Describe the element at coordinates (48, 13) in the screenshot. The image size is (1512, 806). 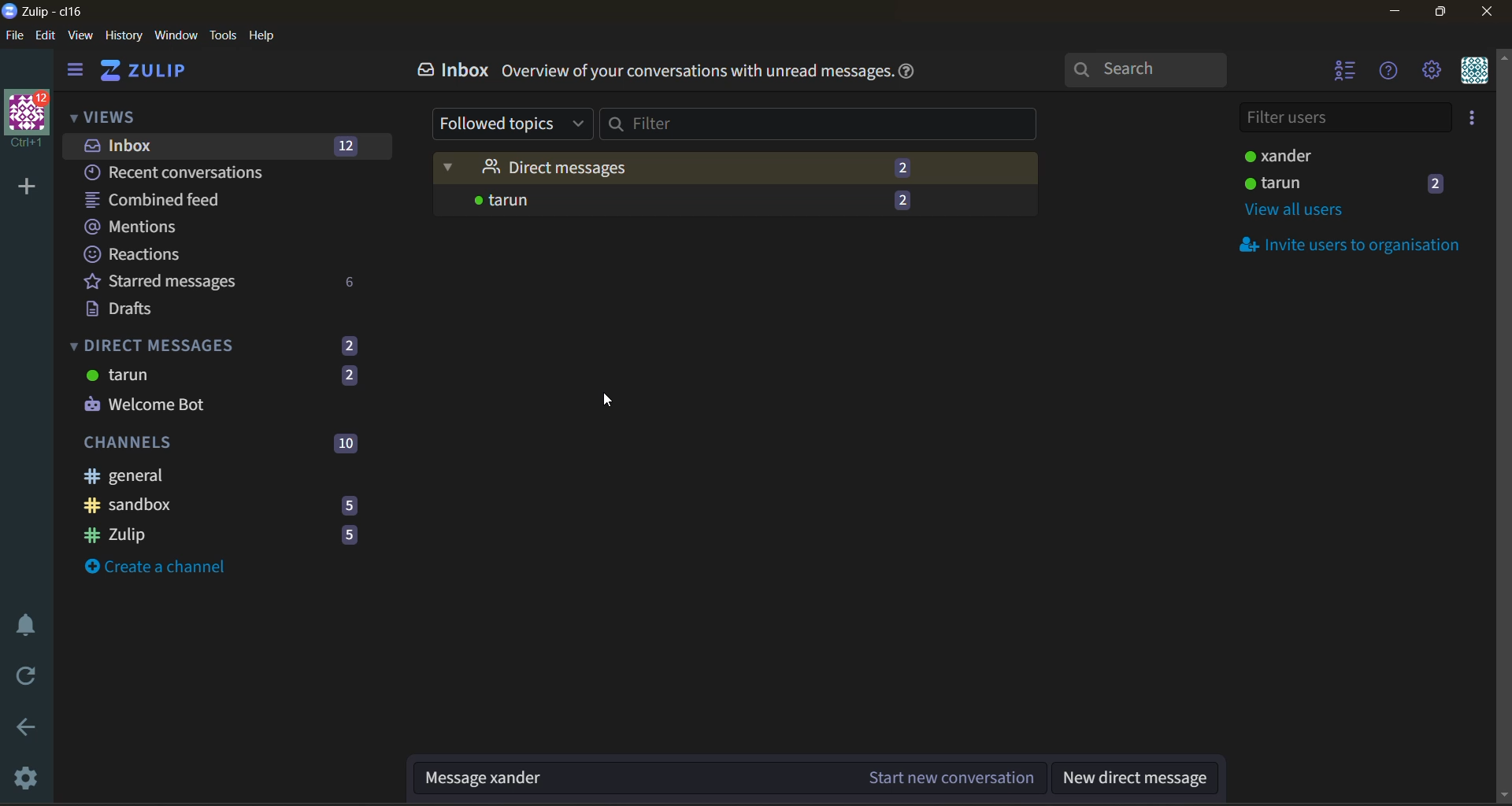
I see `application logo and name` at that location.